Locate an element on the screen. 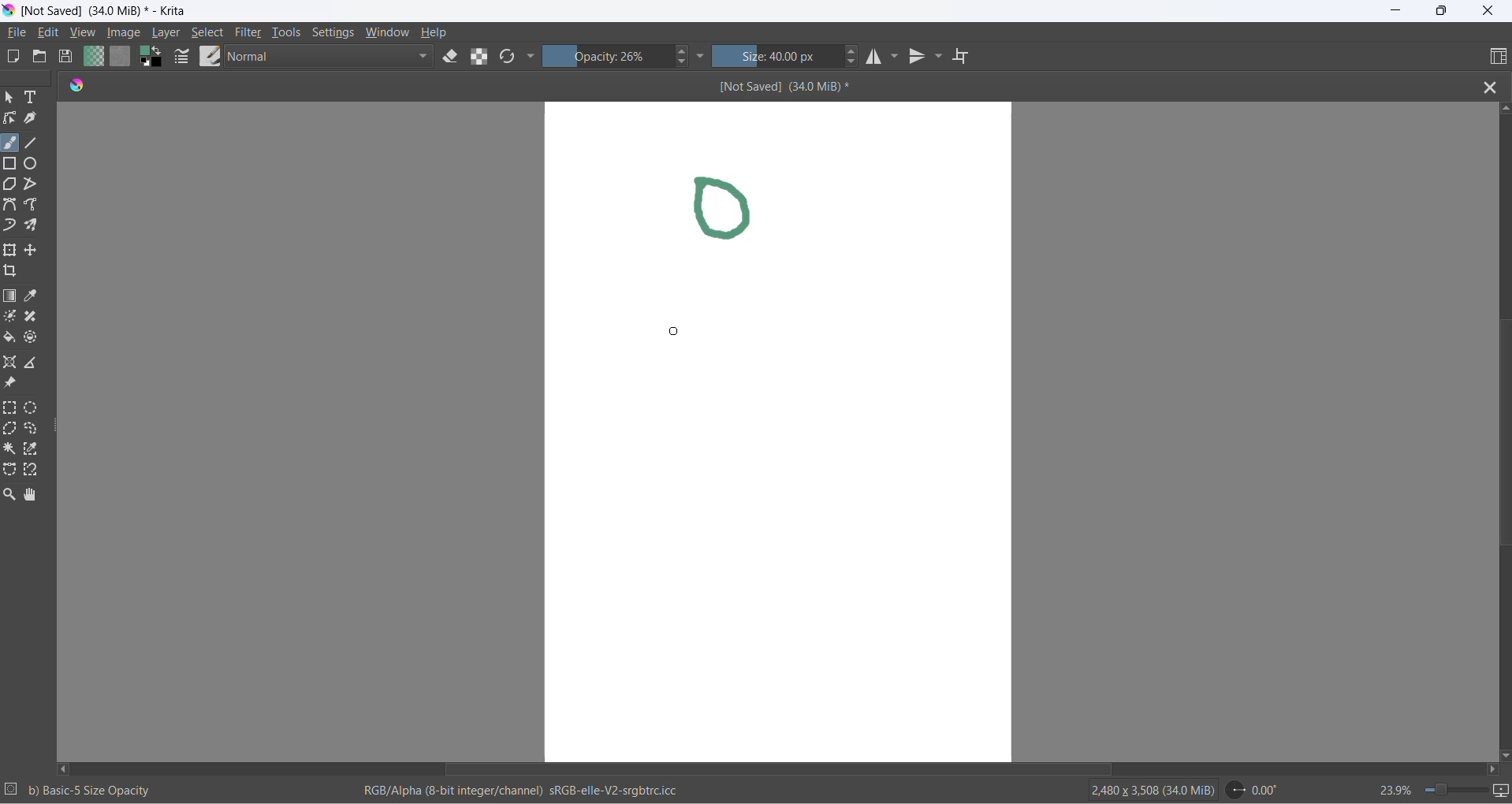 Image resolution: width=1512 pixels, height=804 pixels. swap foreground with background color is located at coordinates (153, 57).